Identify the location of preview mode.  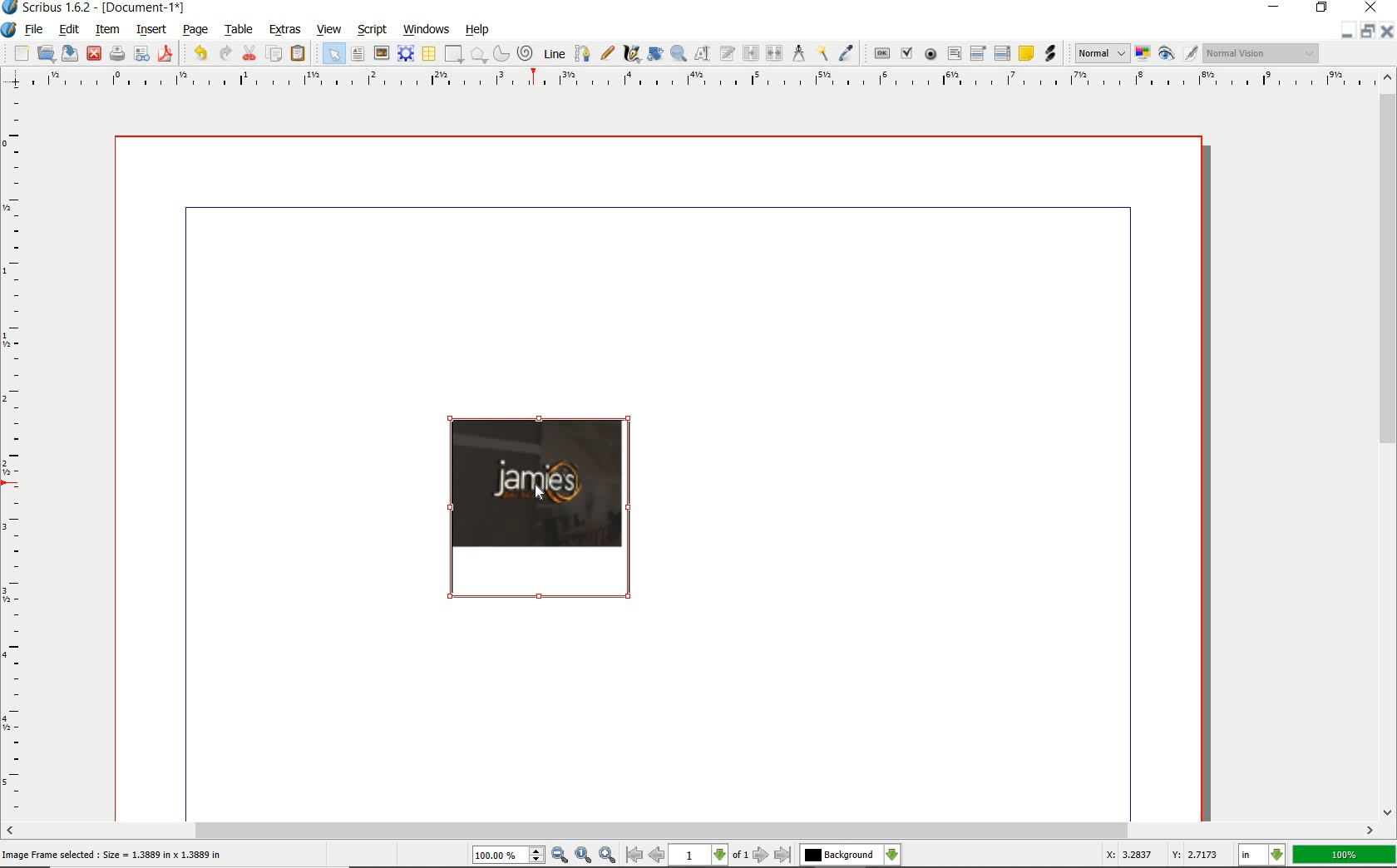
(1177, 54).